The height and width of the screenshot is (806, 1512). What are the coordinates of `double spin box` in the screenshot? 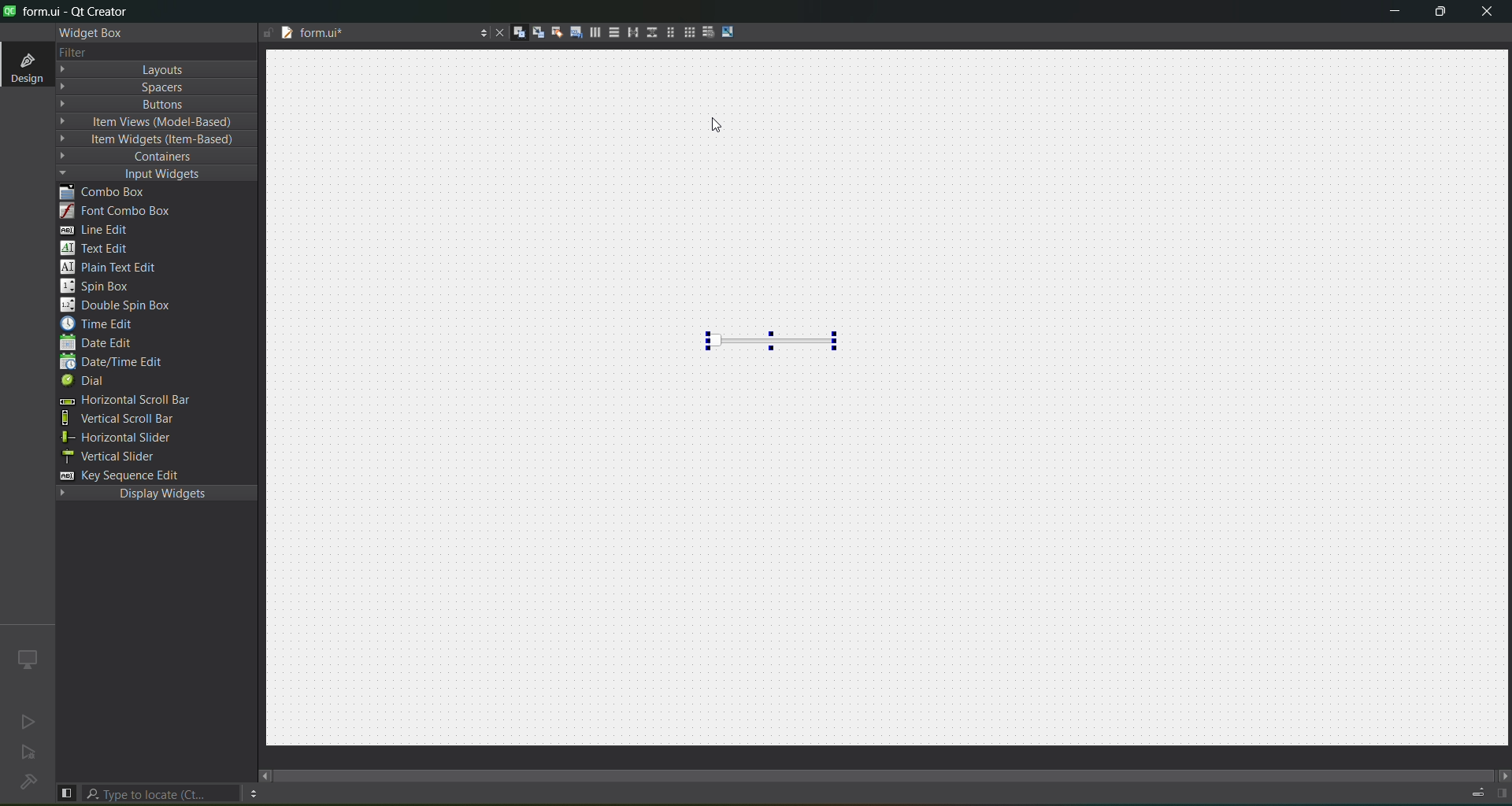 It's located at (131, 305).